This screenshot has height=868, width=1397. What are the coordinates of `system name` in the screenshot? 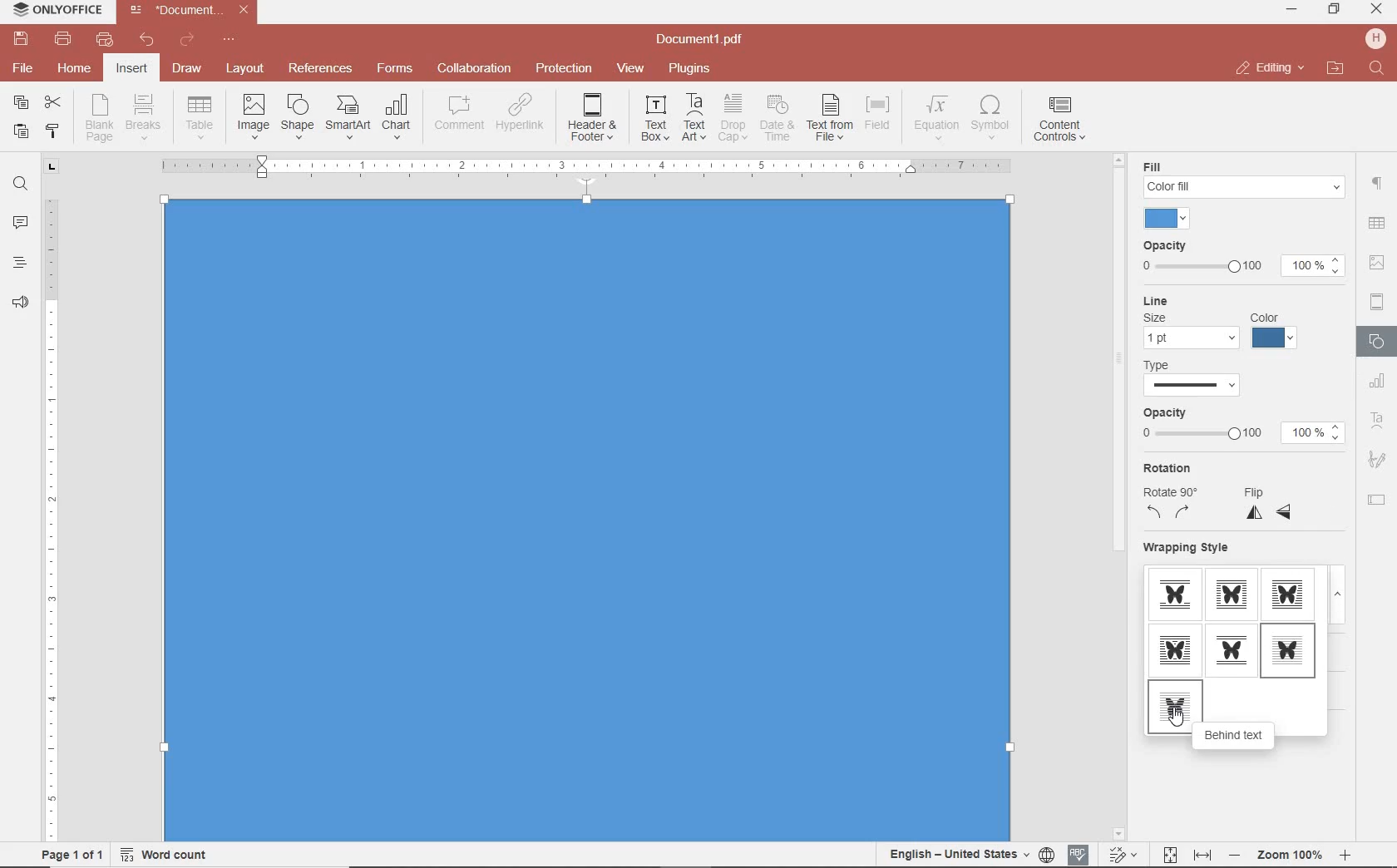 It's located at (53, 11).